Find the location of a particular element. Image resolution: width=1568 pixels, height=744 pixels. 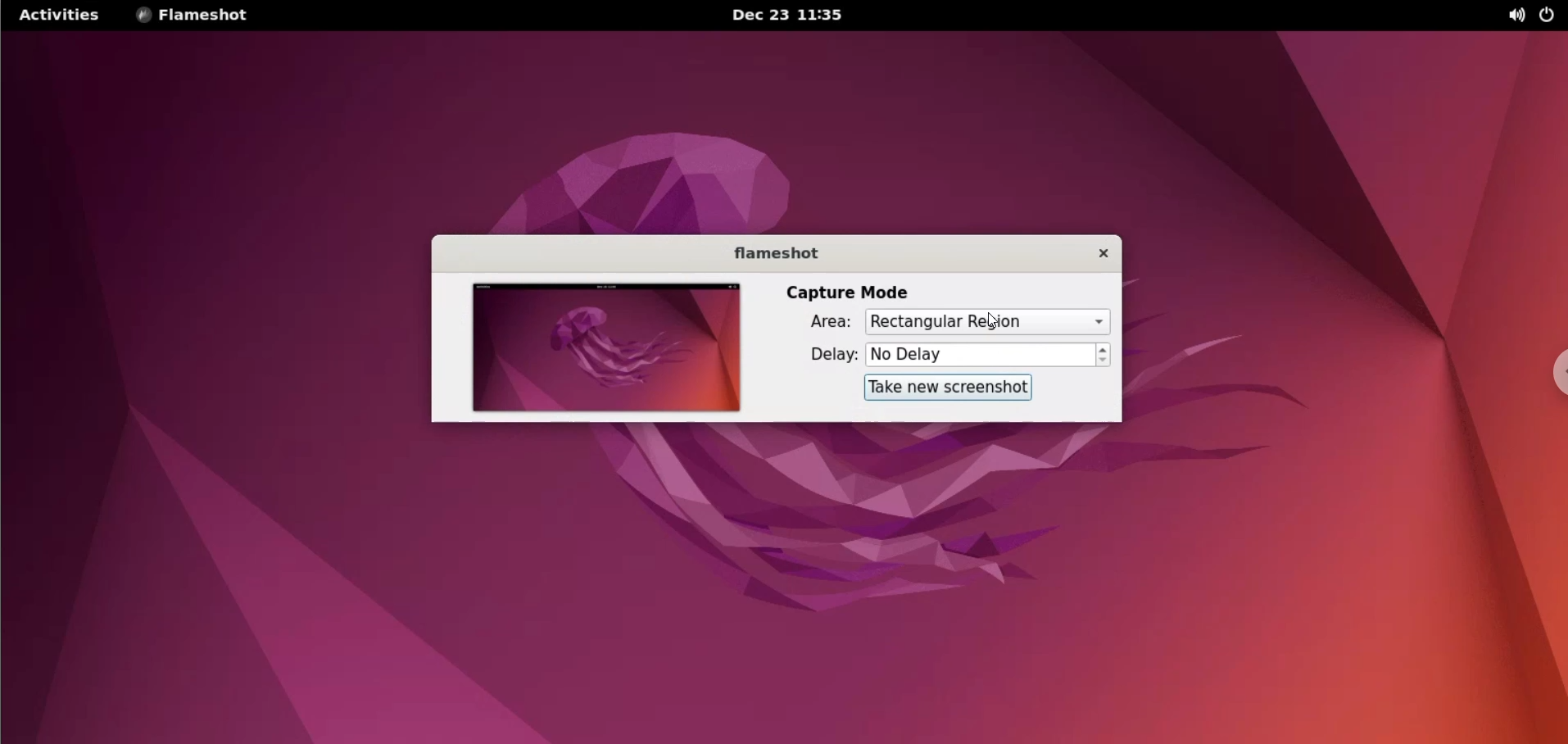

take new screenshot is located at coordinates (951, 387).